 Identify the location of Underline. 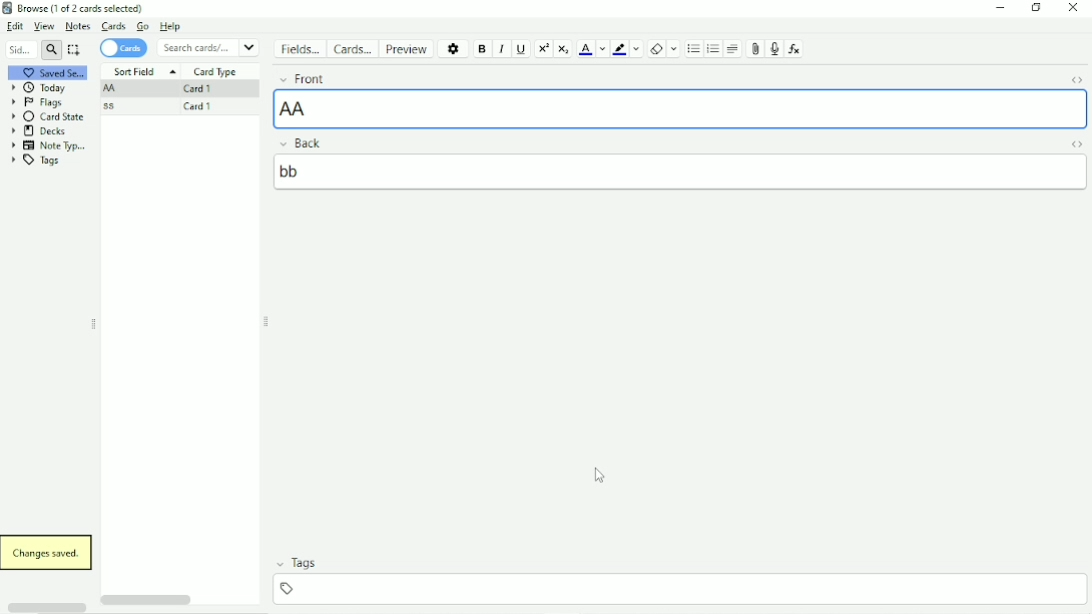
(522, 50).